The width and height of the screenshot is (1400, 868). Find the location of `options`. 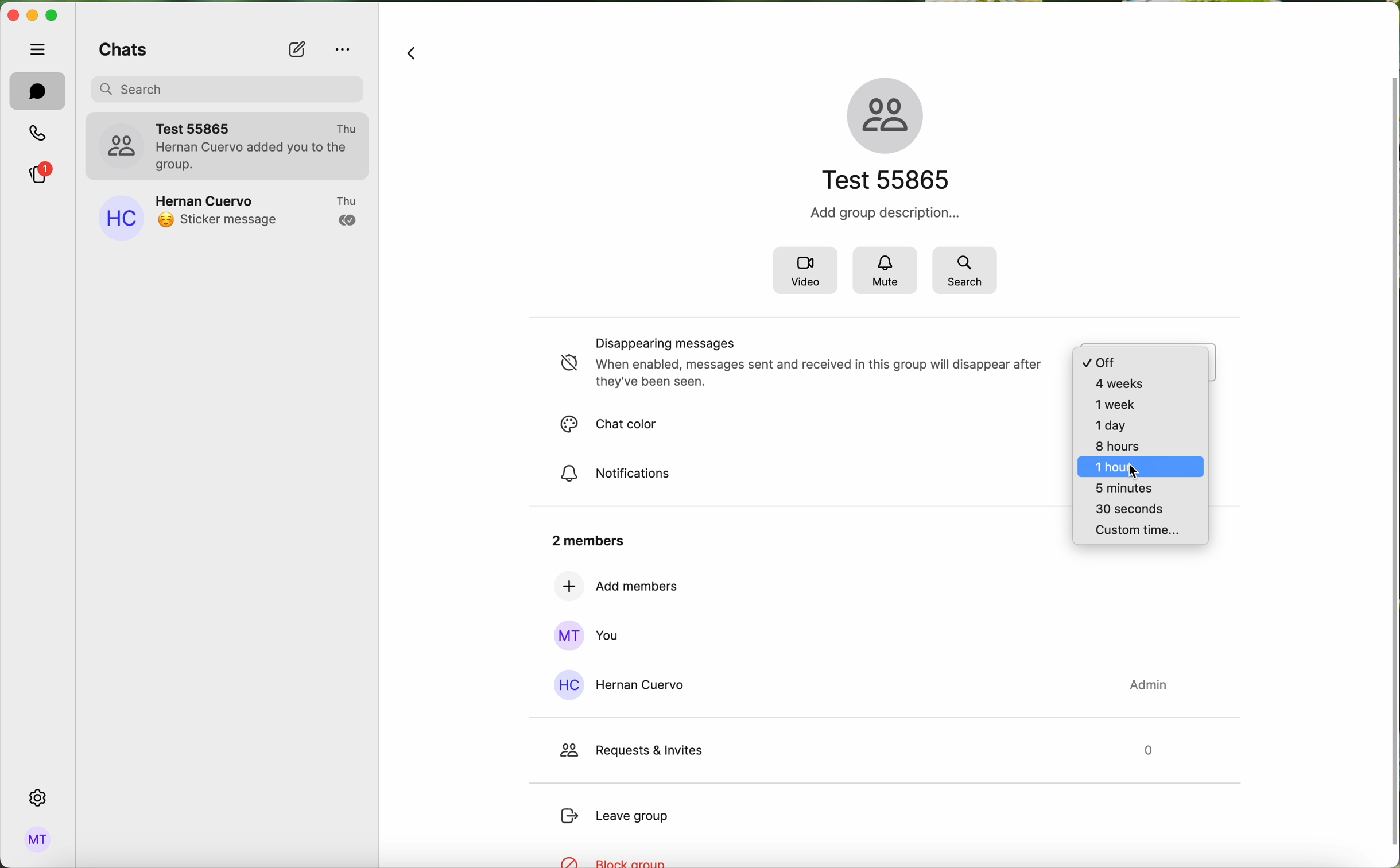

options is located at coordinates (341, 51).